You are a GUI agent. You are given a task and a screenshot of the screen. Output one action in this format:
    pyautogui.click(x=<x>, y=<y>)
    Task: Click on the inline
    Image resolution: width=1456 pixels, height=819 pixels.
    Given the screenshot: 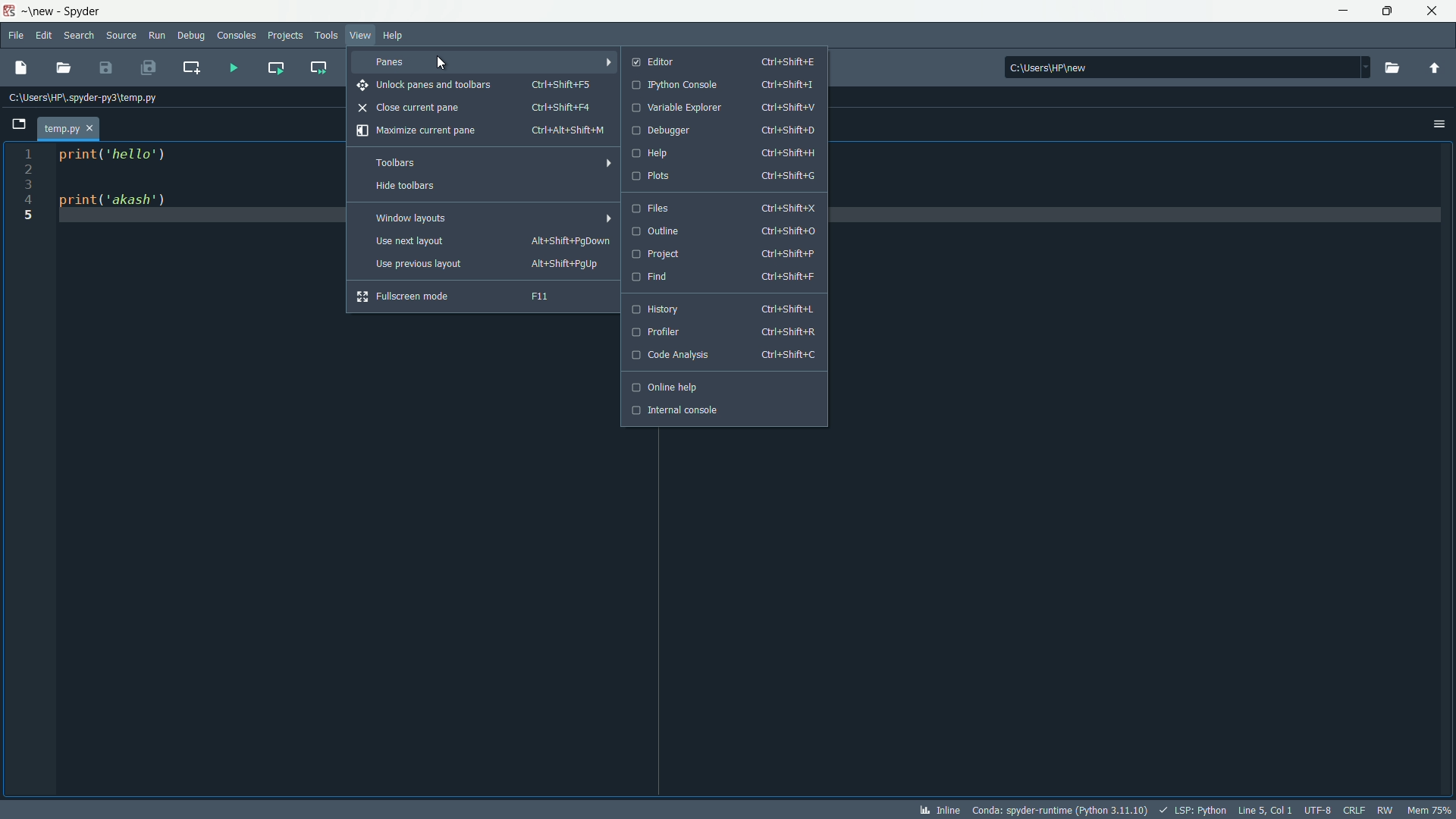 What is the action you would take?
    pyautogui.click(x=937, y=811)
    